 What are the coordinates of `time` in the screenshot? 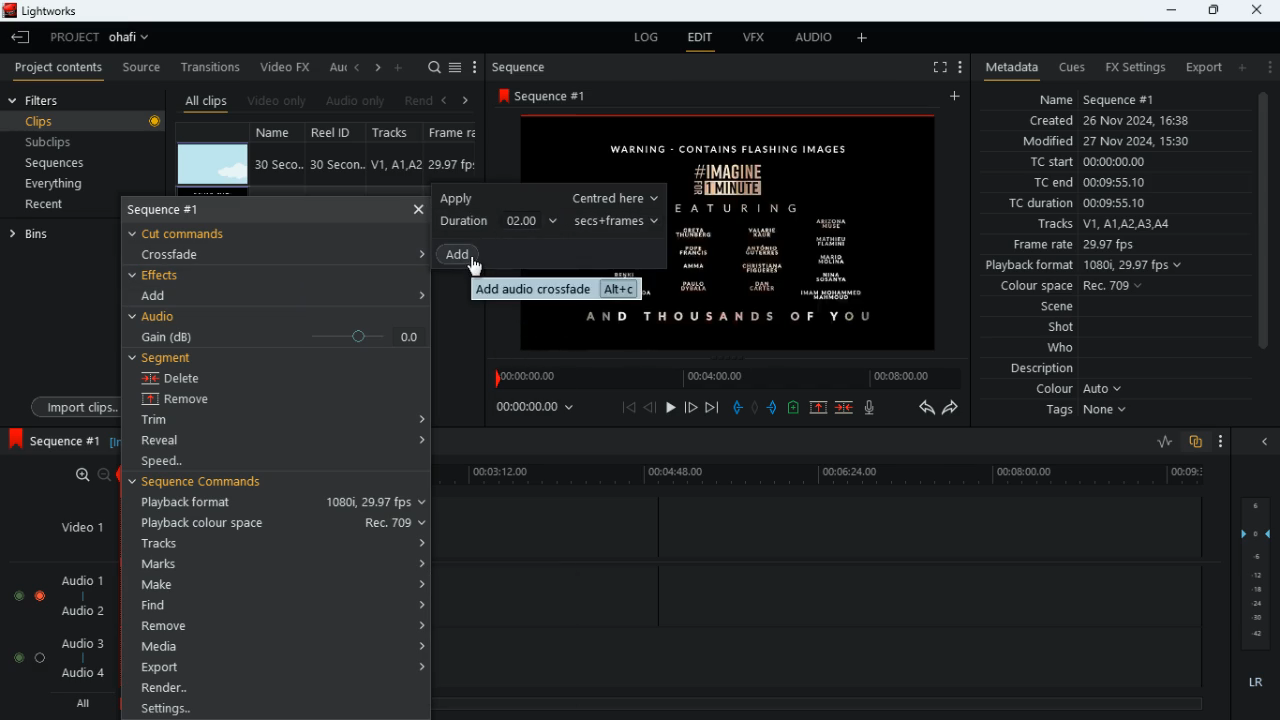 It's located at (544, 406).